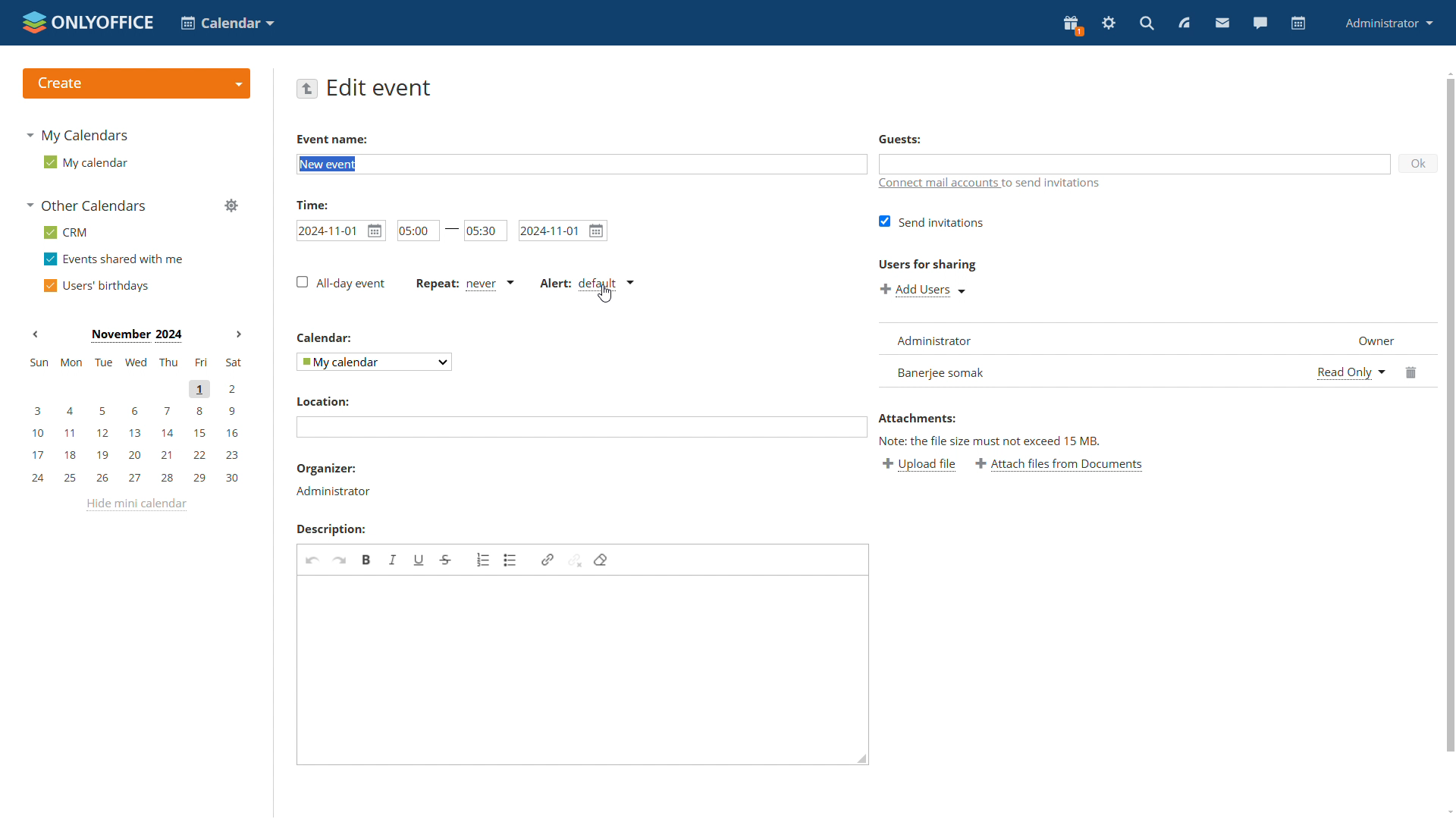 Image resolution: width=1456 pixels, height=819 pixels. What do you see at coordinates (86, 206) in the screenshot?
I see `other calendars` at bounding box center [86, 206].